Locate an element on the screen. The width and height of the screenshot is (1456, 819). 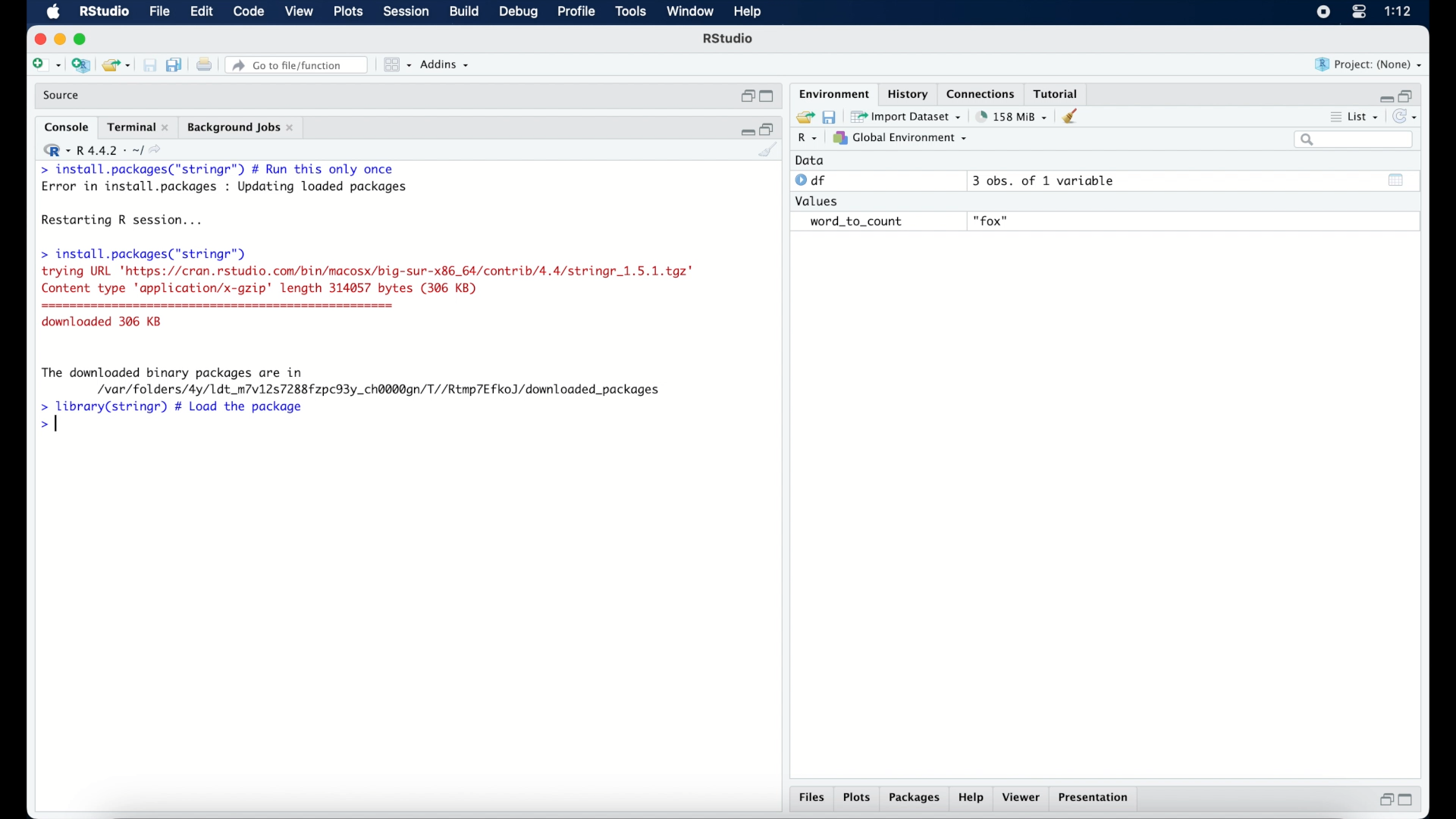
build is located at coordinates (463, 11).